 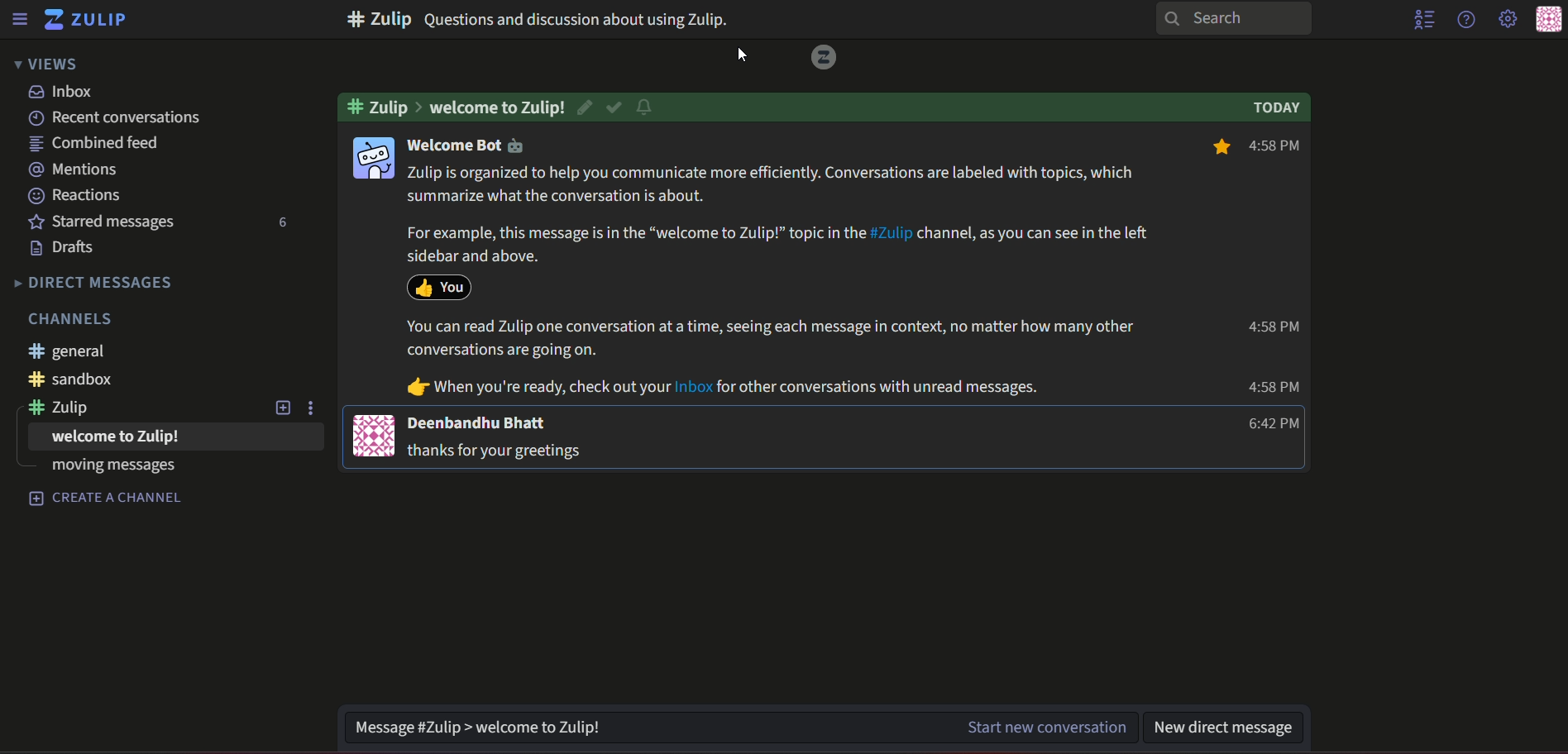 I want to click on Welcome bot, so click(x=475, y=146).